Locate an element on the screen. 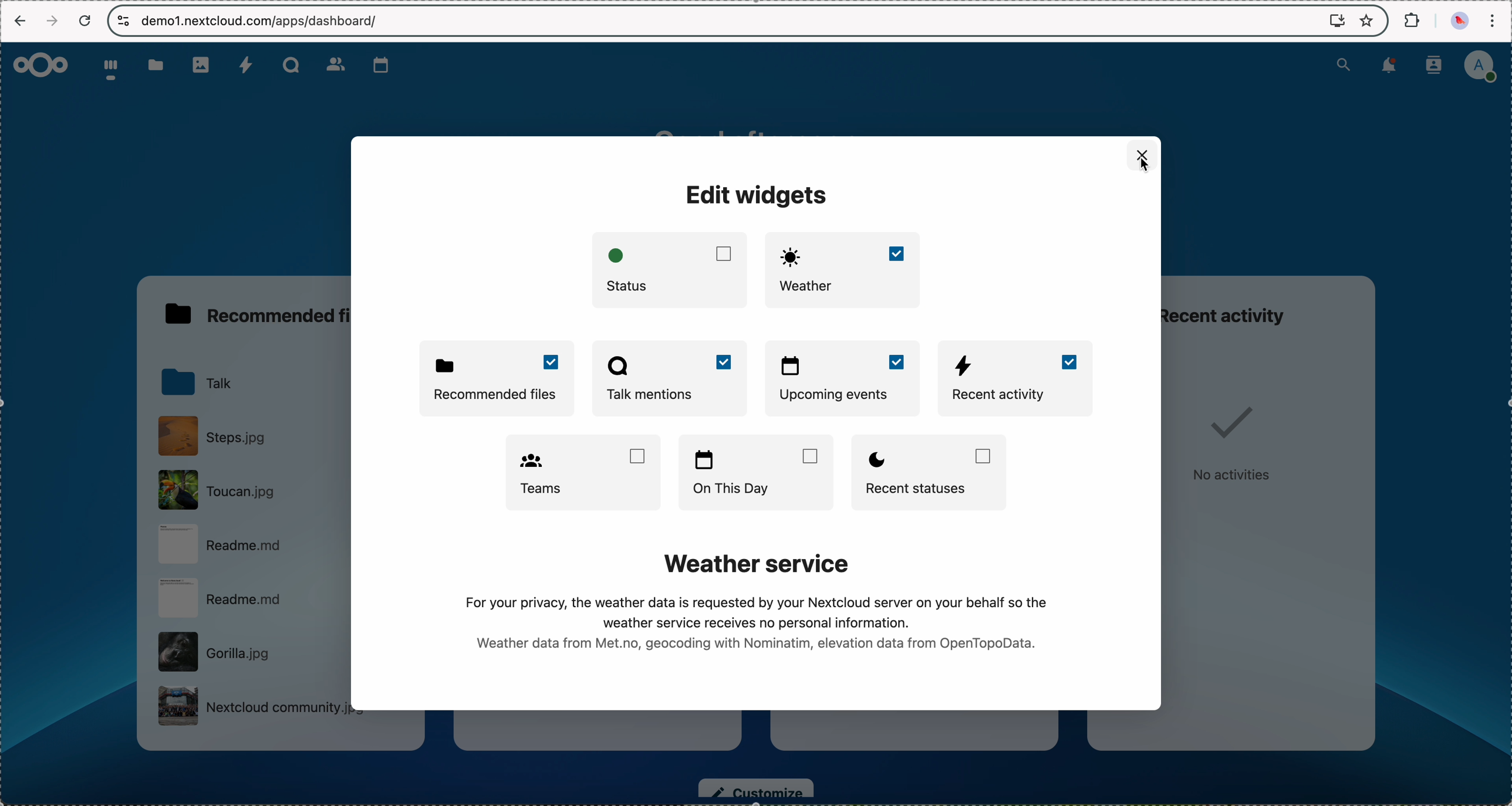  enable Talk mentions is located at coordinates (670, 376).